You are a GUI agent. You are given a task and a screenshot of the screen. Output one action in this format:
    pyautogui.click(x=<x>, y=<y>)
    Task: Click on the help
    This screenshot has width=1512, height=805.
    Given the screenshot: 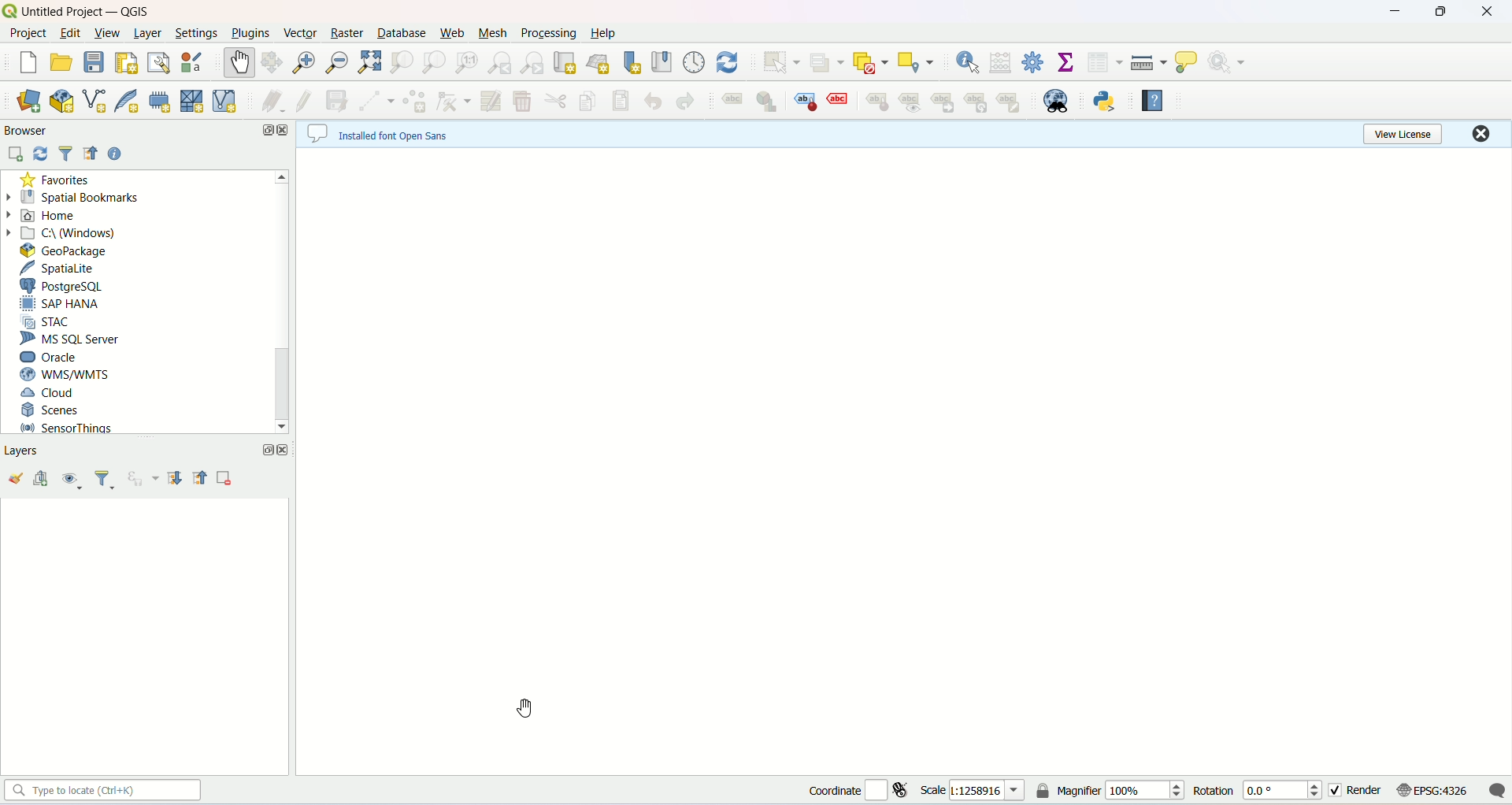 What is the action you would take?
    pyautogui.click(x=1154, y=102)
    